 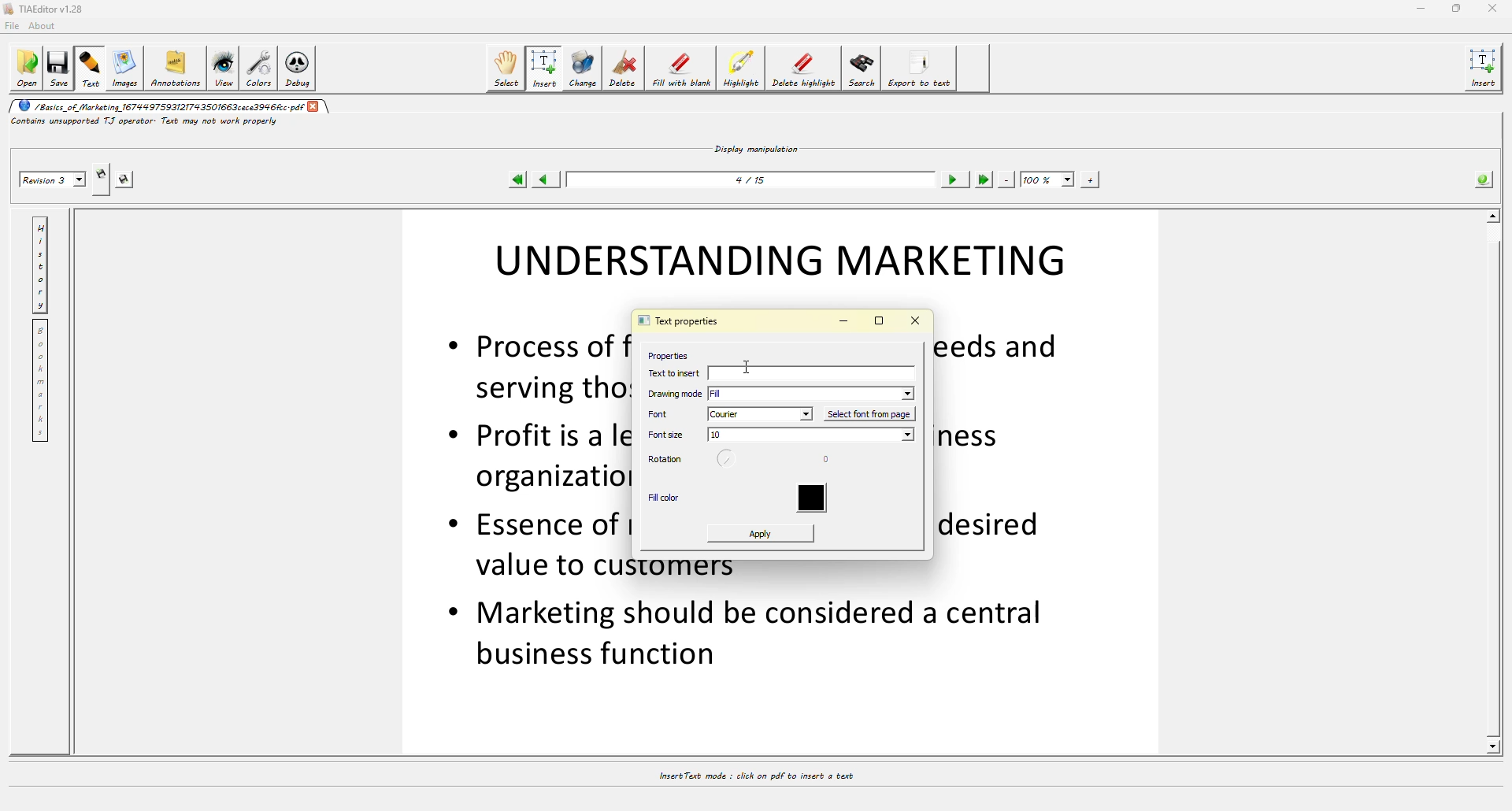 What do you see at coordinates (955, 180) in the screenshot?
I see `next page` at bounding box center [955, 180].